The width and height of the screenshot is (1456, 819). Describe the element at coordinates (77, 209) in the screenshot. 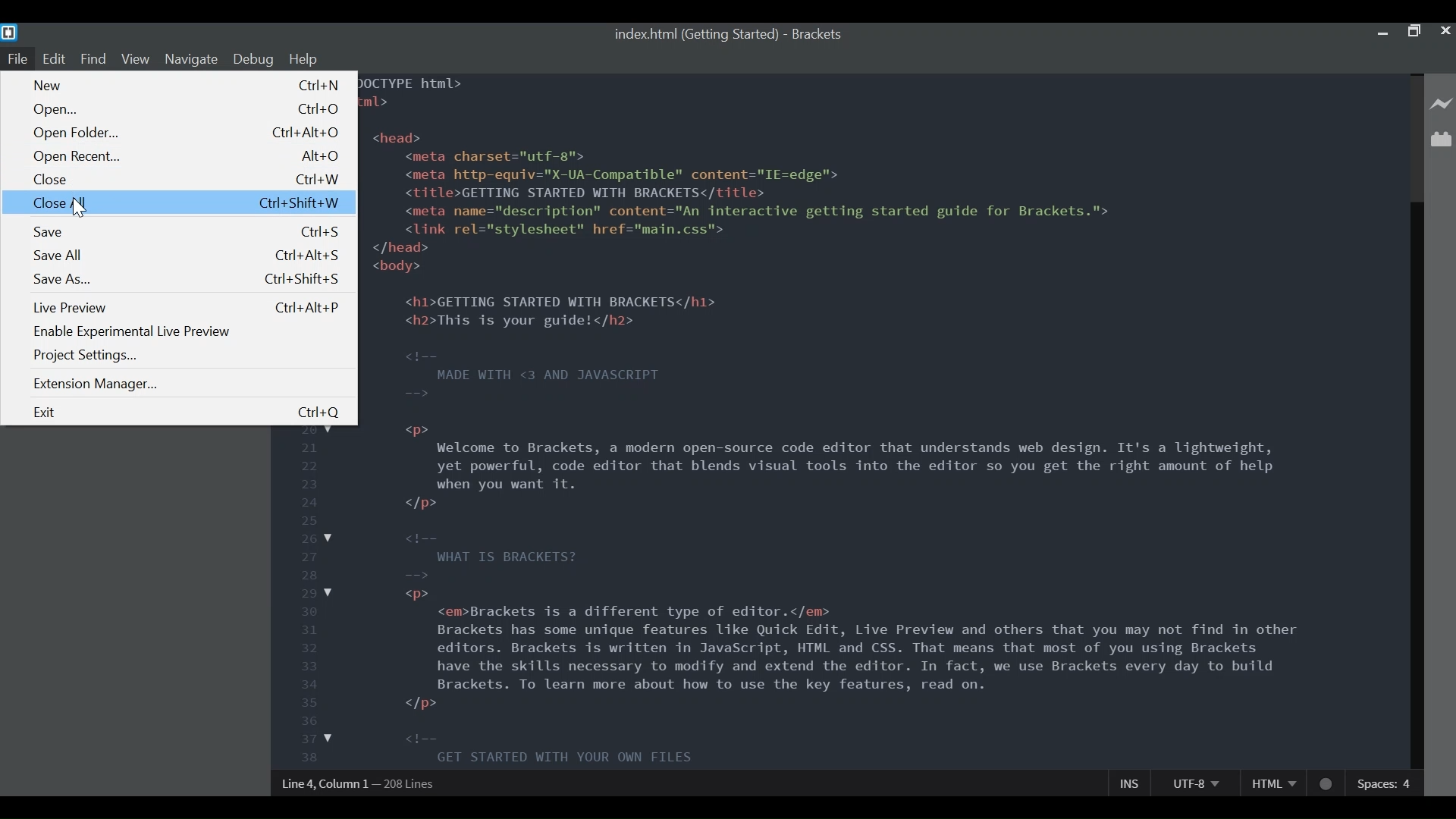

I see `Cursor` at that location.